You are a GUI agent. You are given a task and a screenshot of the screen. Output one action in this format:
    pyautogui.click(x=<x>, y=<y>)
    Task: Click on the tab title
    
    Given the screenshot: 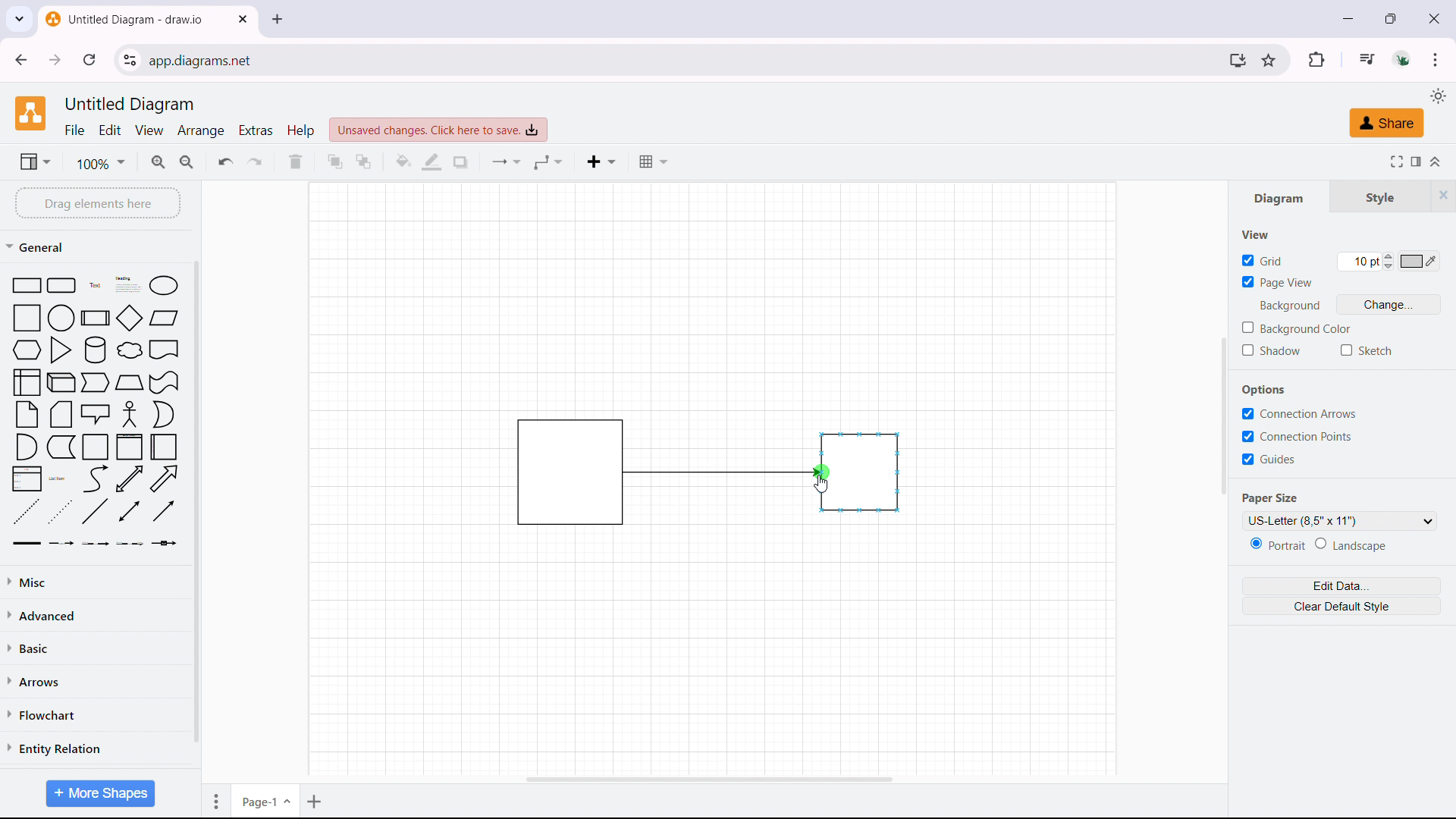 What is the action you would take?
    pyautogui.click(x=126, y=19)
    